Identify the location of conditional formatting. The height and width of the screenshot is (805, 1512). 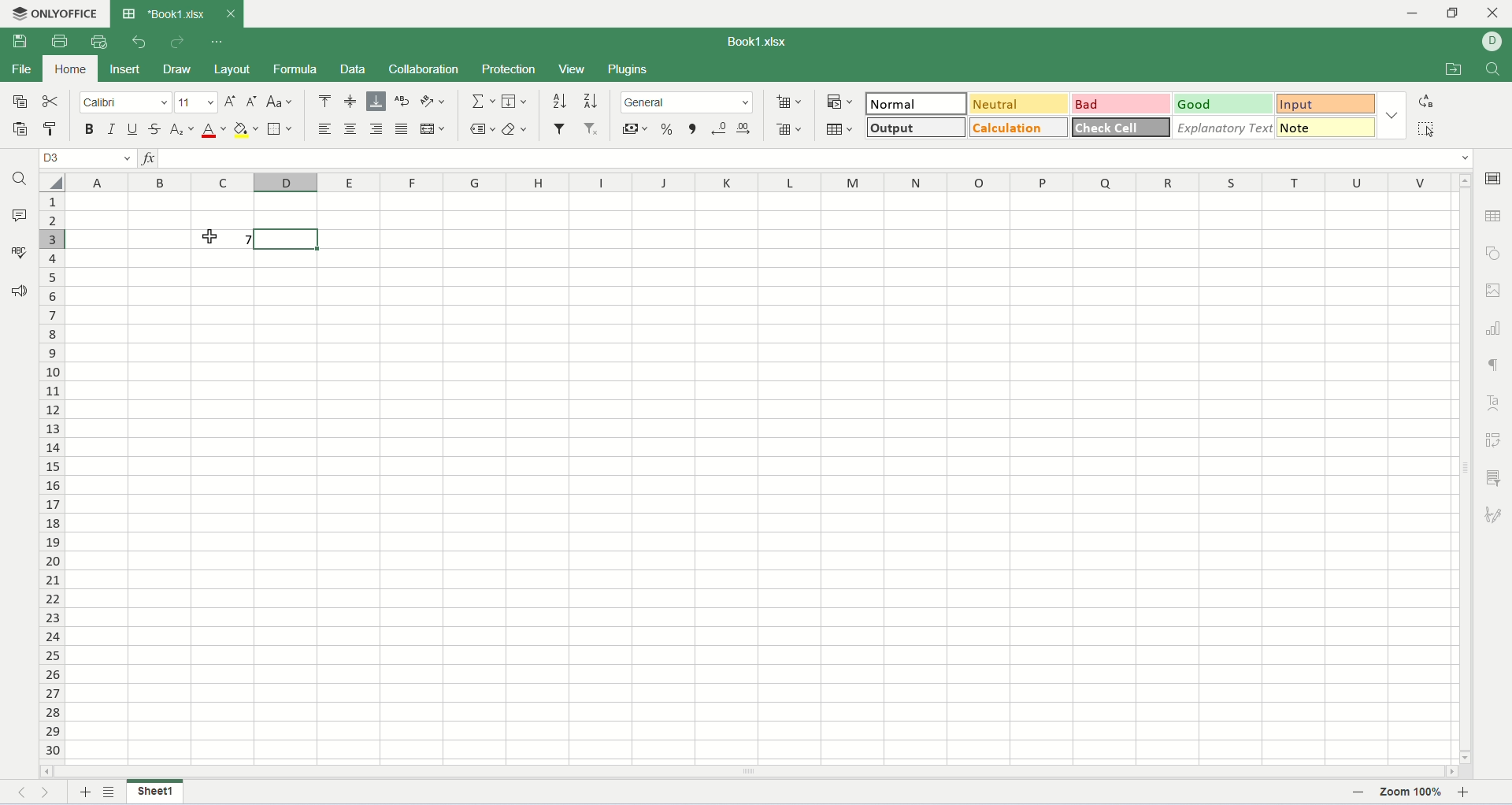
(841, 102).